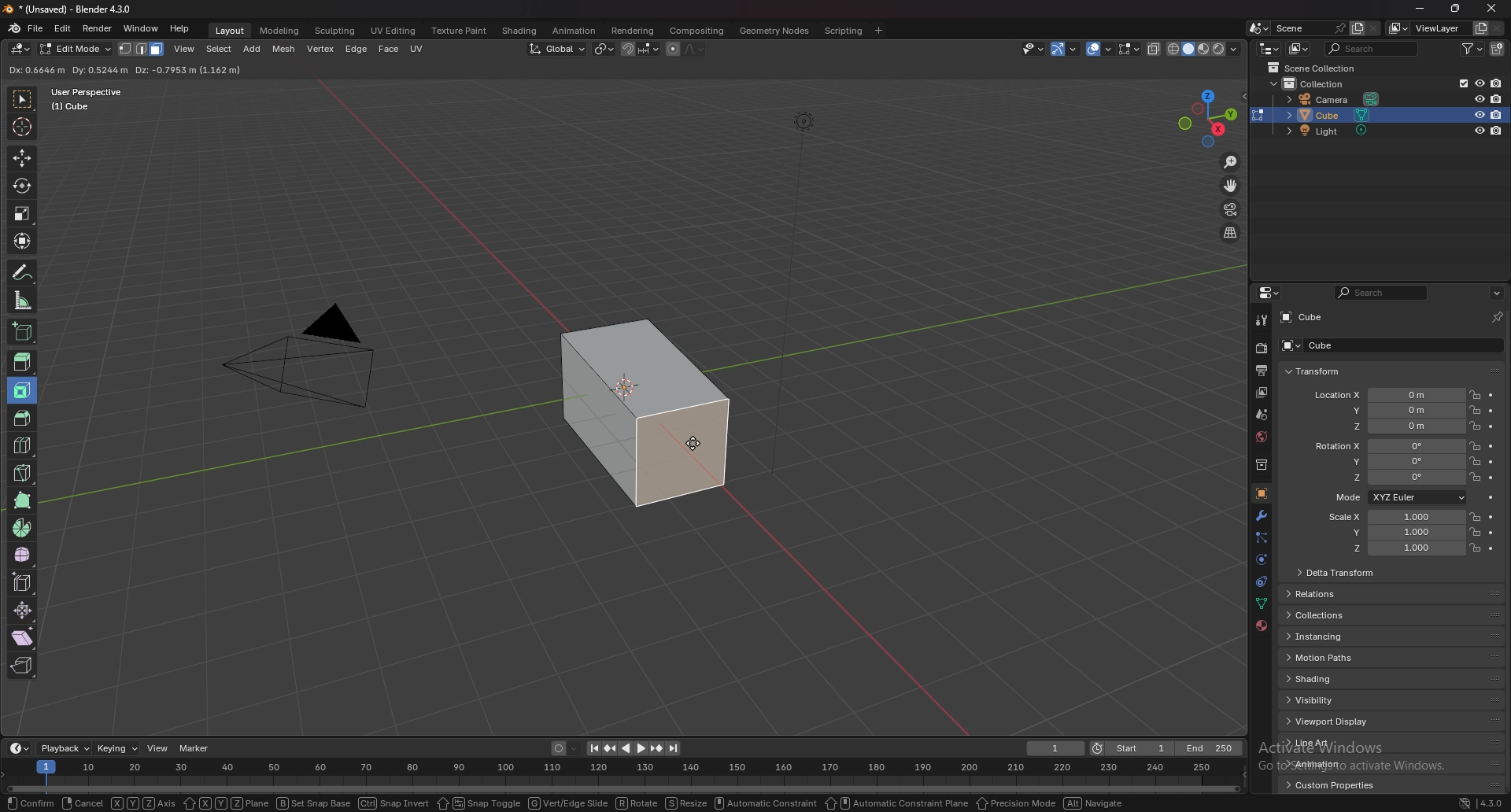 Image resolution: width=1511 pixels, height=812 pixels. Describe the element at coordinates (1466, 803) in the screenshot. I see `network` at that location.